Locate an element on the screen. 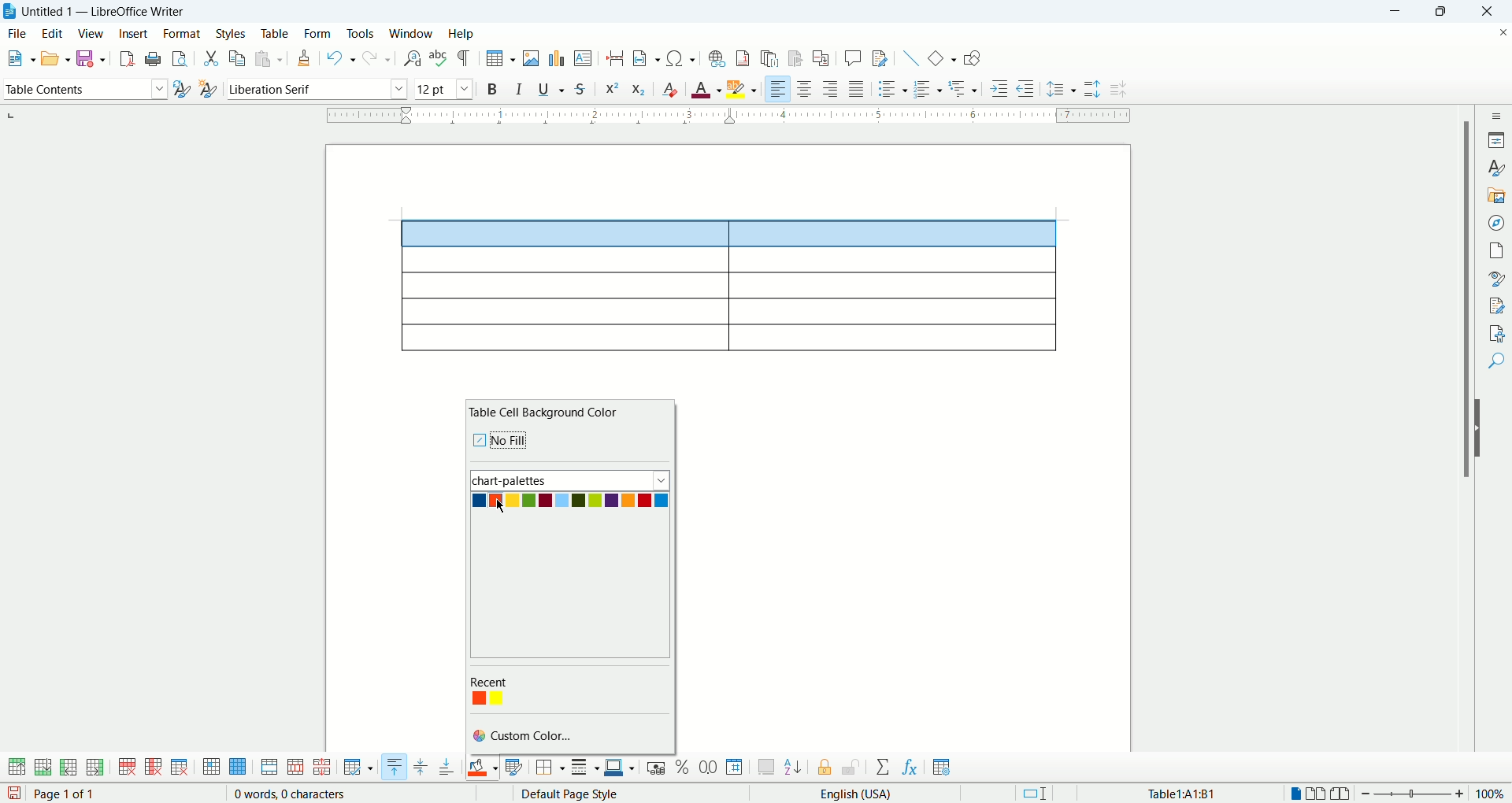 The width and height of the screenshot is (1512, 803). protect cells is located at coordinates (823, 769).